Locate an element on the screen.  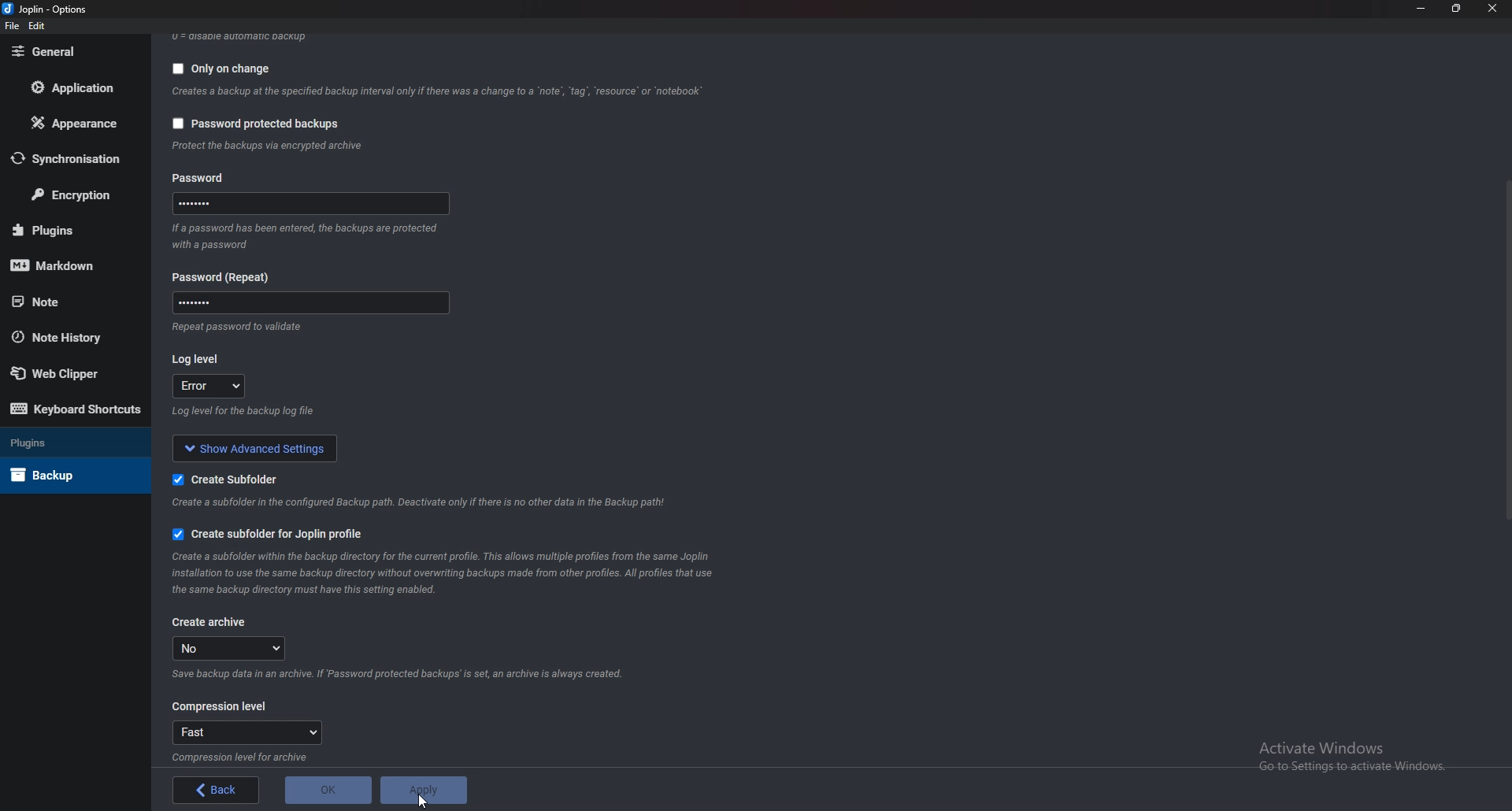
Resize is located at coordinates (1458, 8).